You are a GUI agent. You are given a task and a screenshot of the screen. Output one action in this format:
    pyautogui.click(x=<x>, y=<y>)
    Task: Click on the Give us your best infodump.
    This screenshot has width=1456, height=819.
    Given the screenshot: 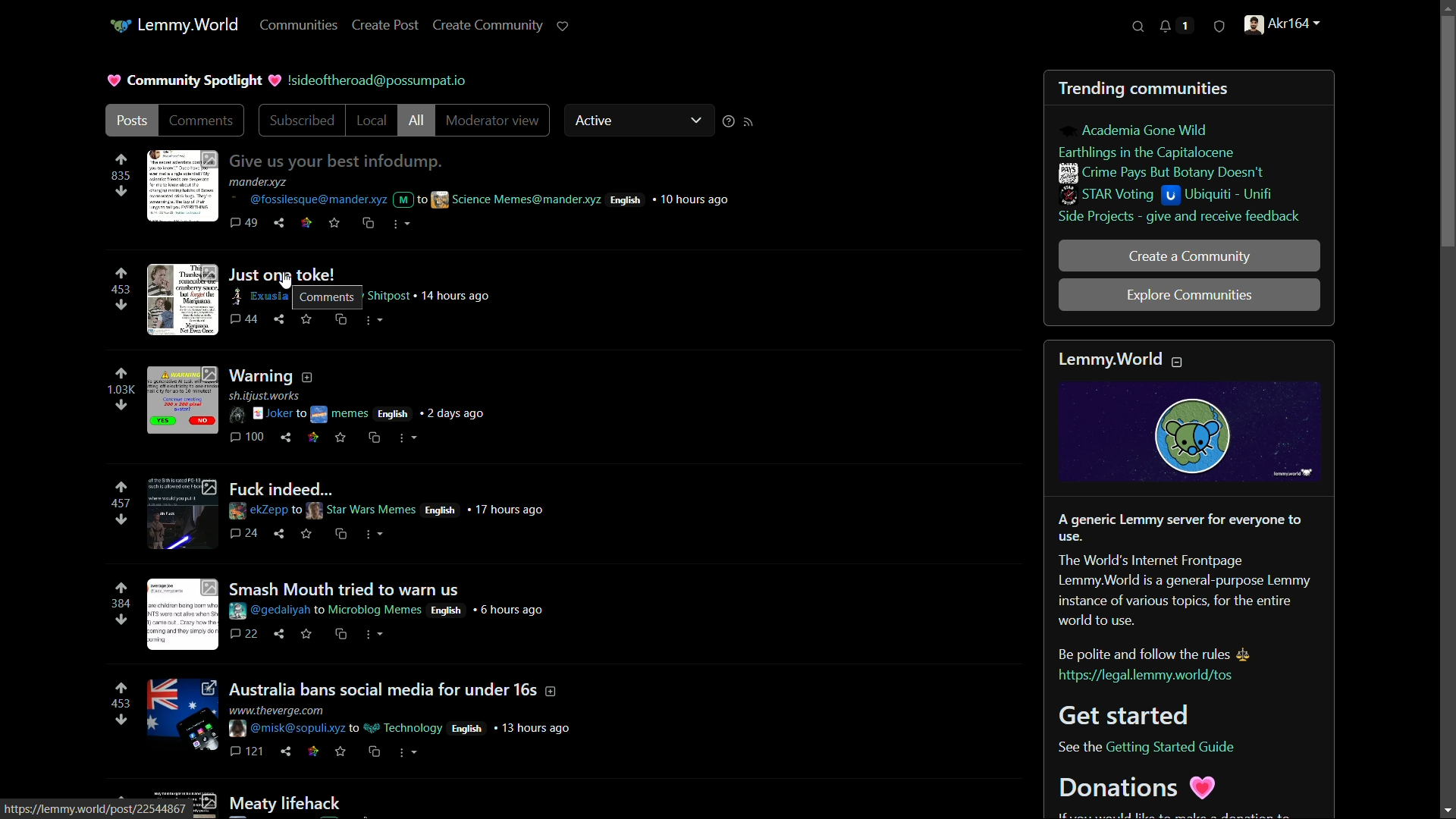 What is the action you would take?
    pyautogui.click(x=334, y=160)
    